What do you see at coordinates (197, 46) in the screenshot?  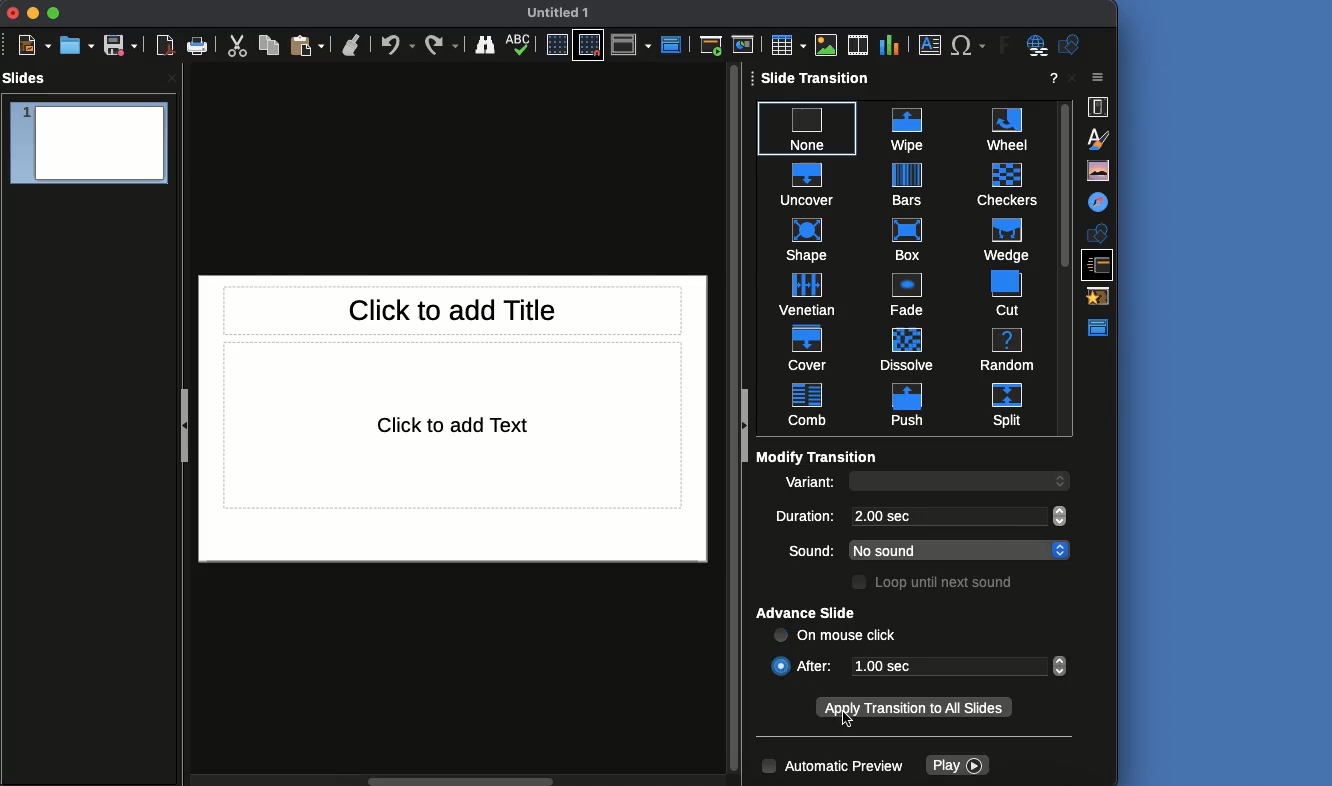 I see `Print` at bounding box center [197, 46].